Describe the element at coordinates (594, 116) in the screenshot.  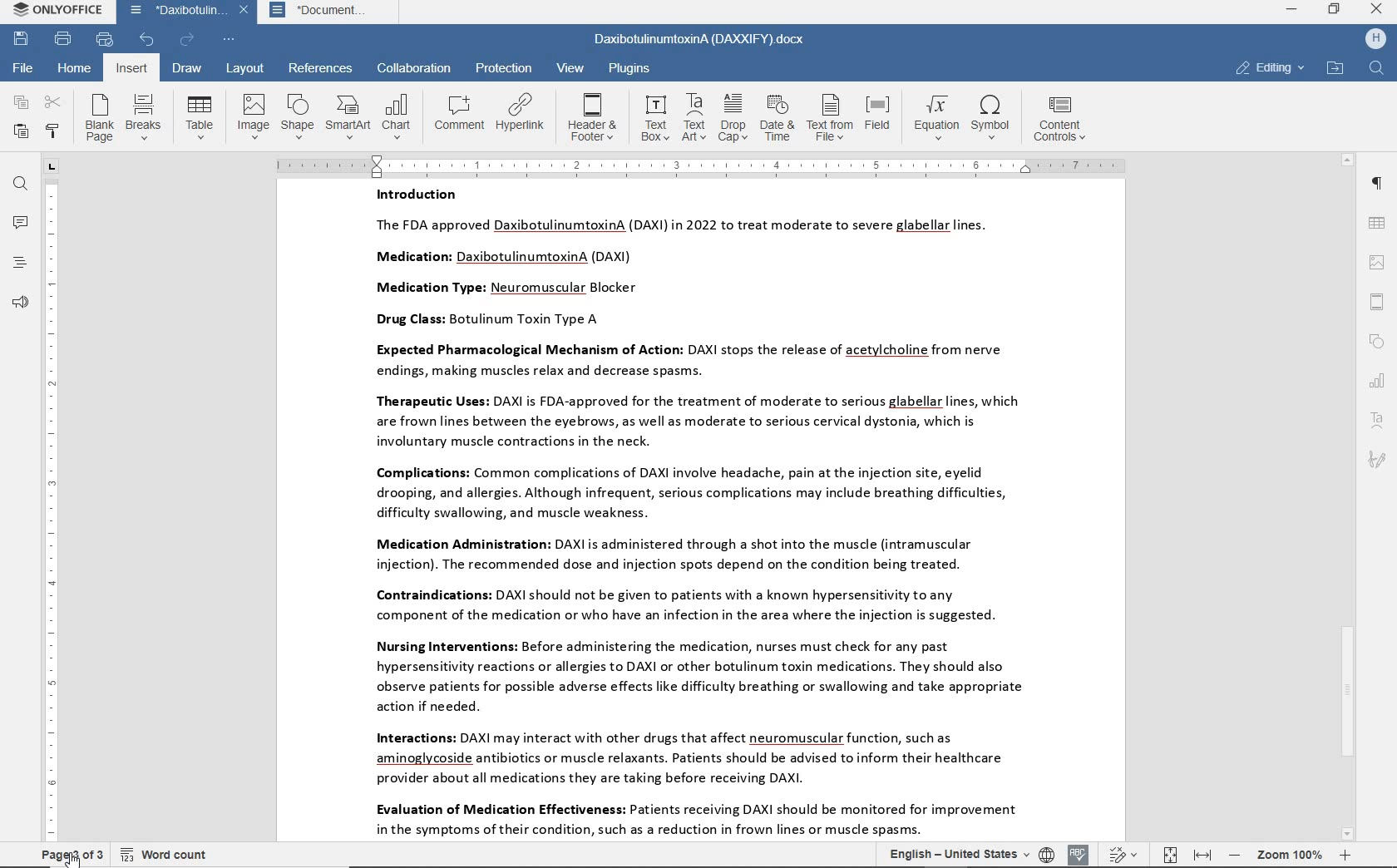
I see `header & footer` at that location.